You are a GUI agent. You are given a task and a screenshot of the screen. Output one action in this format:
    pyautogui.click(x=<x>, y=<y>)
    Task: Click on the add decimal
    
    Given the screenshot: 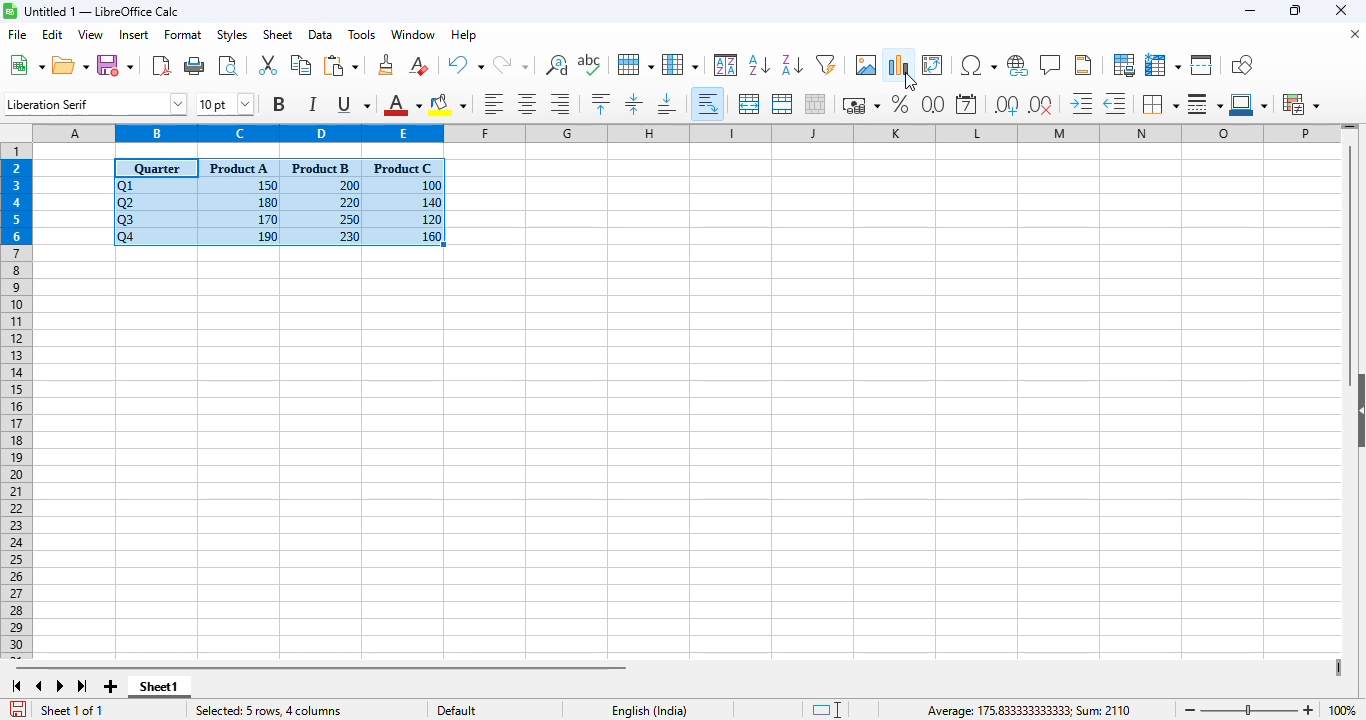 What is the action you would take?
    pyautogui.click(x=1007, y=105)
    